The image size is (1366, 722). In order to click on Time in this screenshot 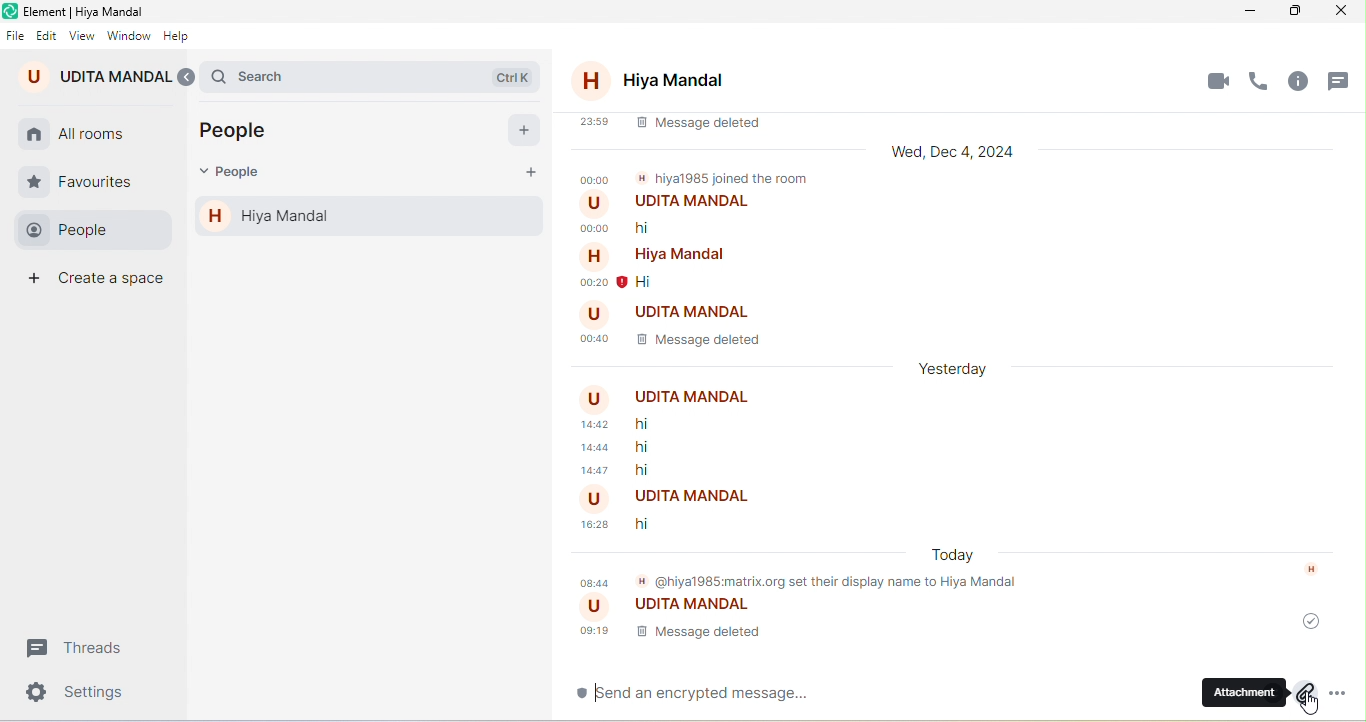, I will do `click(595, 229)`.